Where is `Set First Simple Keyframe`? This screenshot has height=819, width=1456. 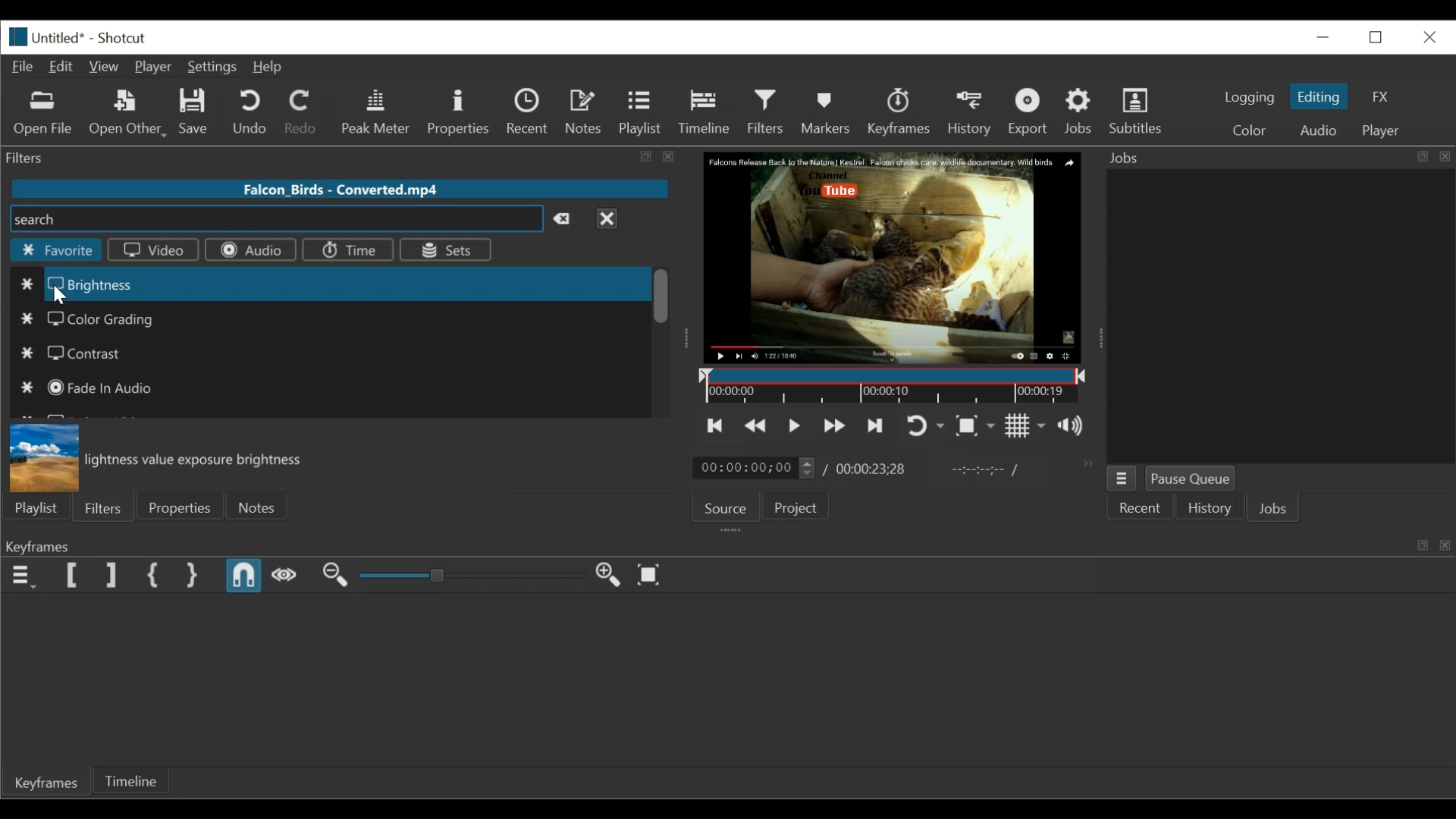 Set First Simple Keyframe is located at coordinates (152, 576).